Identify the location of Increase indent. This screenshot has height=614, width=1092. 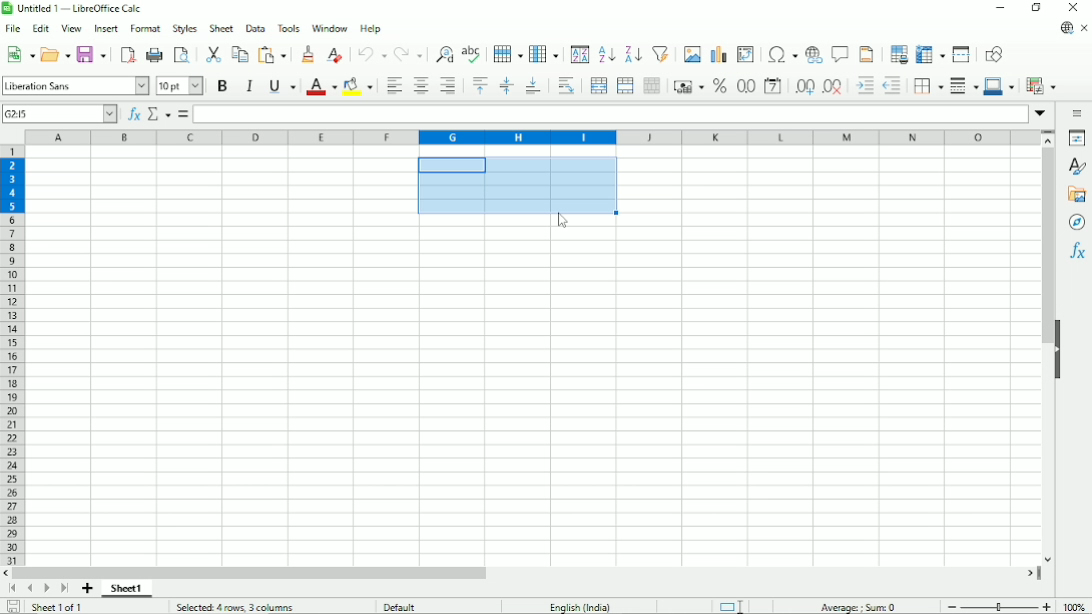
(863, 87).